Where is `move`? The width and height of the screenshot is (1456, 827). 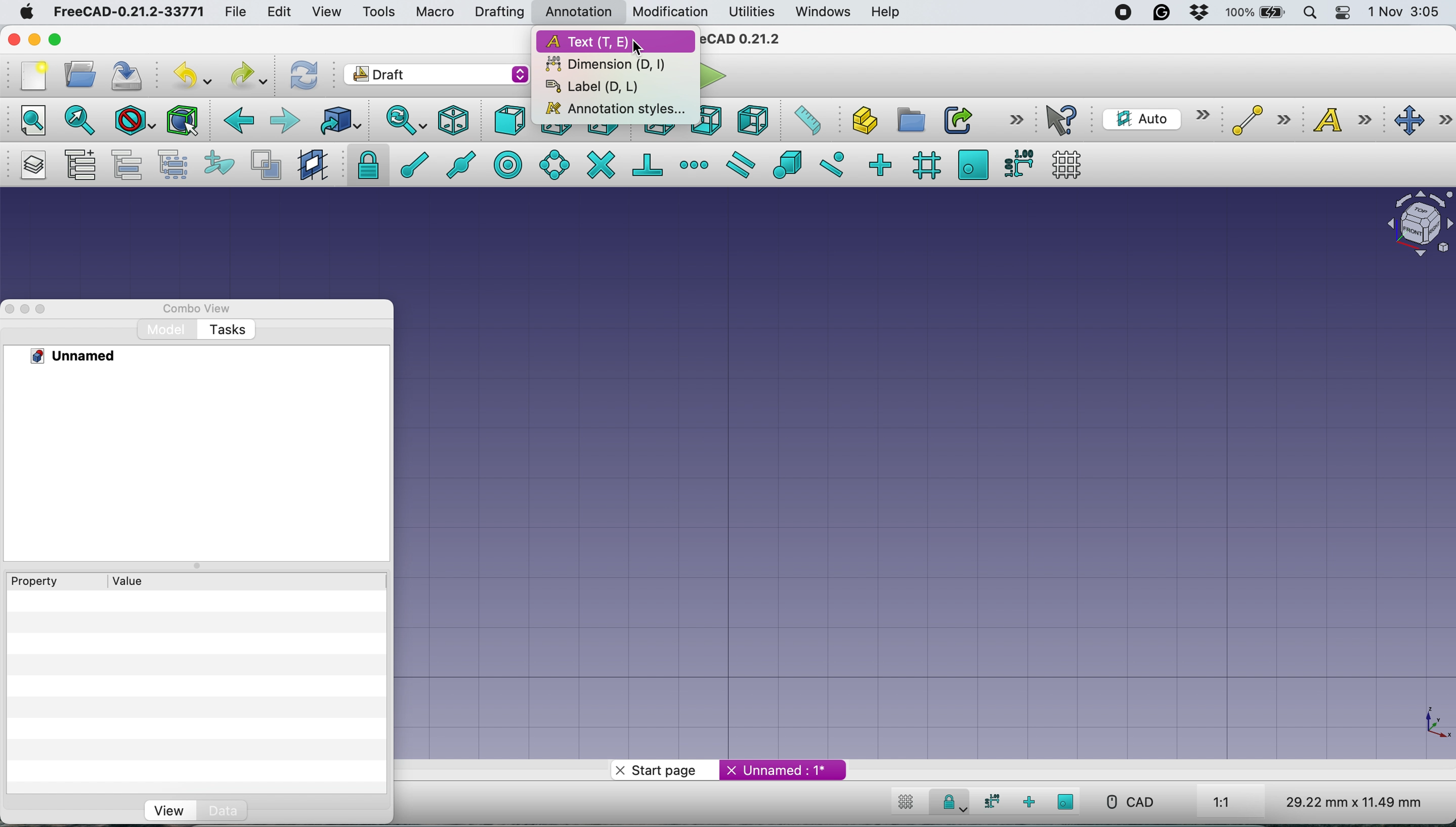 move is located at coordinates (1419, 119).